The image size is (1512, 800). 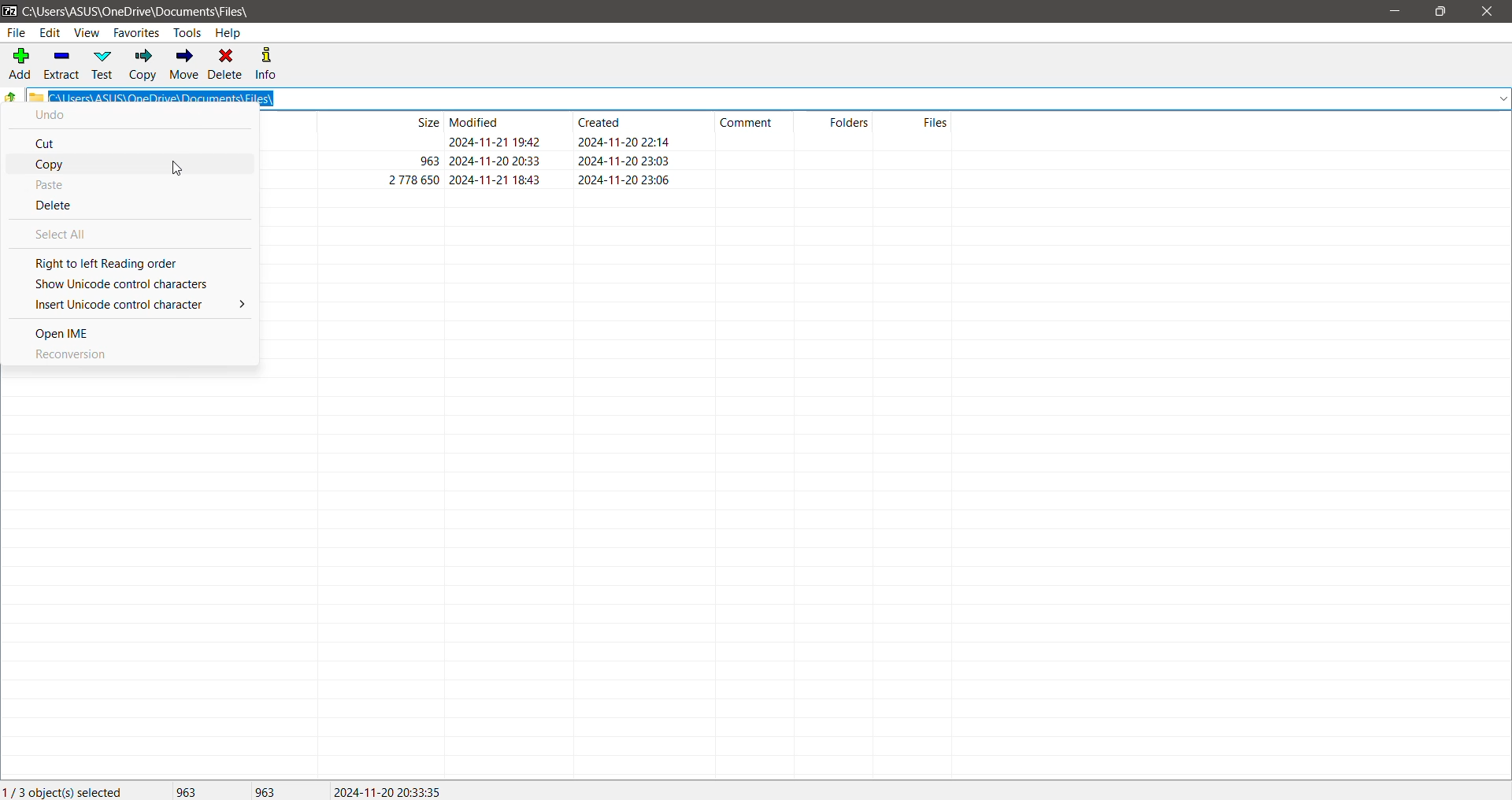 I want to click on Size of the last file(s) selected, so click(x=266, y=791).